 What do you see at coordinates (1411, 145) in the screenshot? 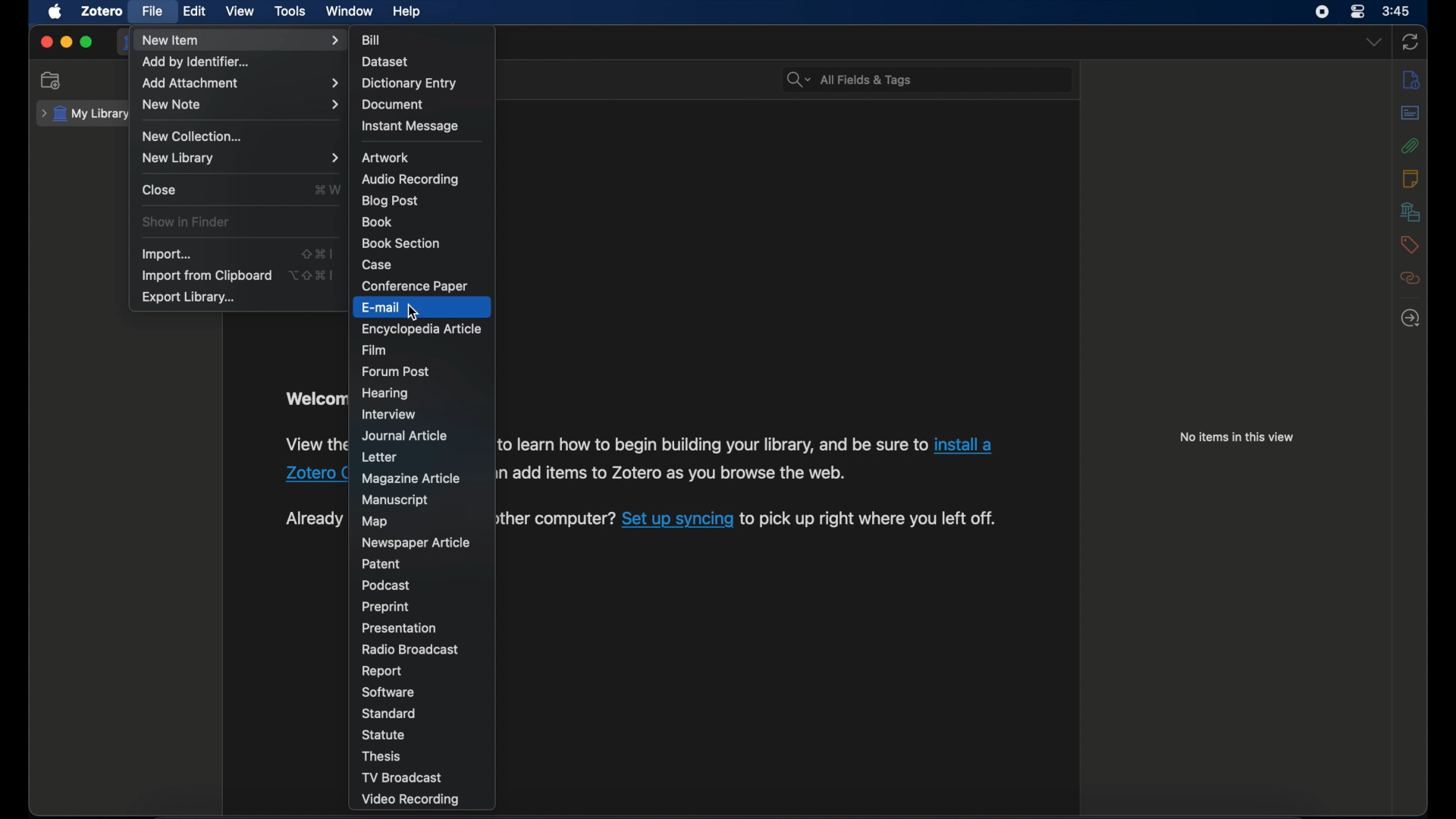
I see `attachments` at bounding box center [1411, 145].